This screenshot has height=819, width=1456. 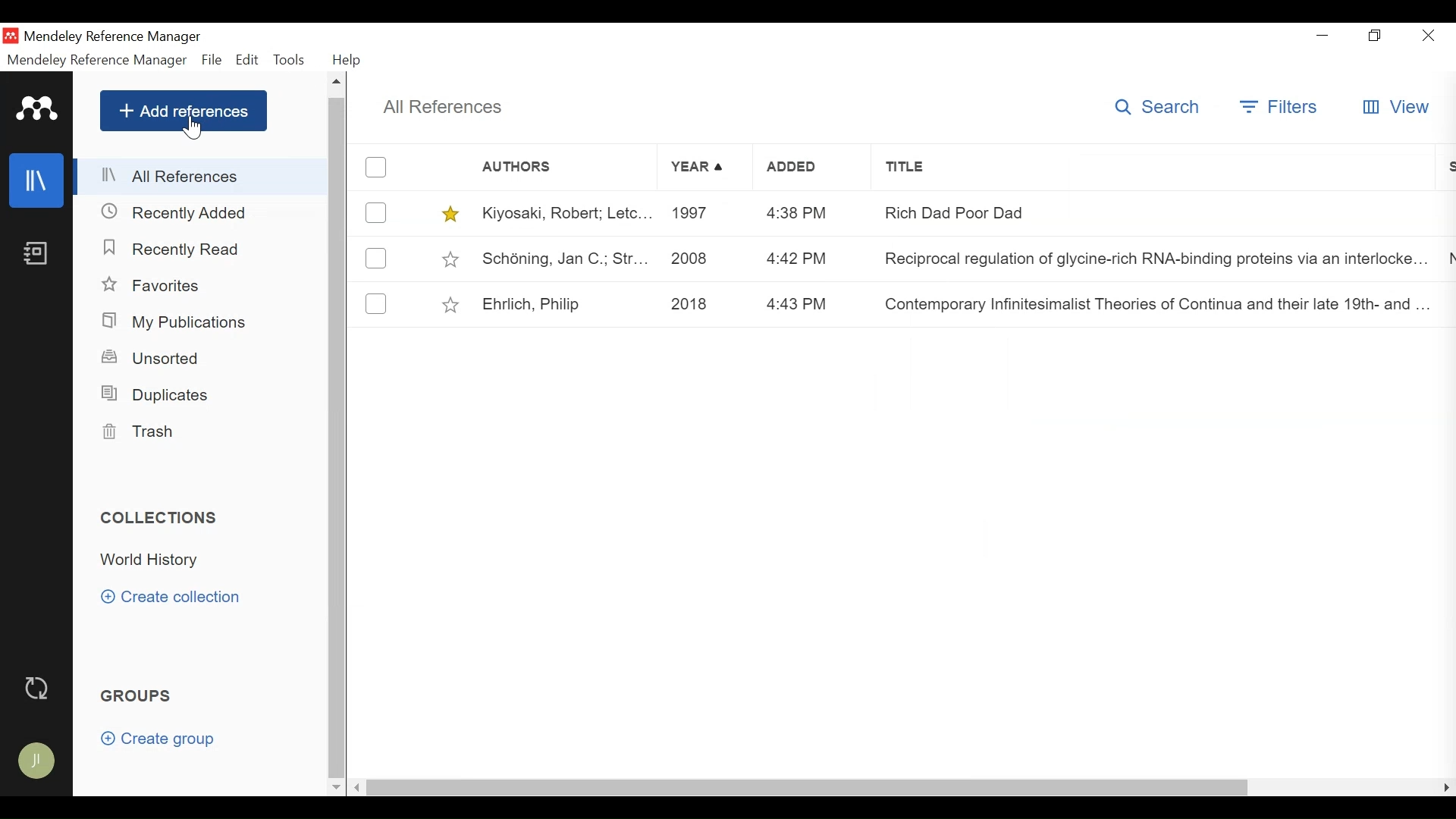 I want to click on 4:43 PM, so click(x=811, y=303).